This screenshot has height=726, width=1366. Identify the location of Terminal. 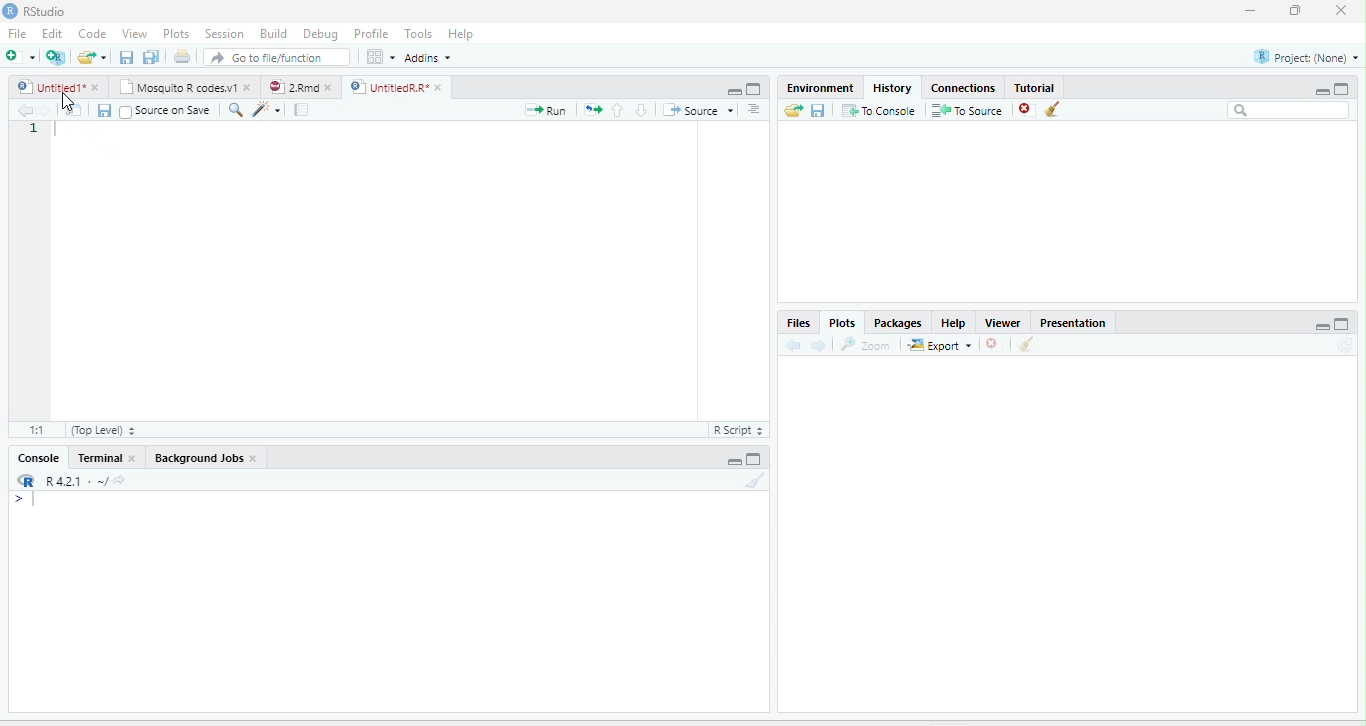
(97, 458).